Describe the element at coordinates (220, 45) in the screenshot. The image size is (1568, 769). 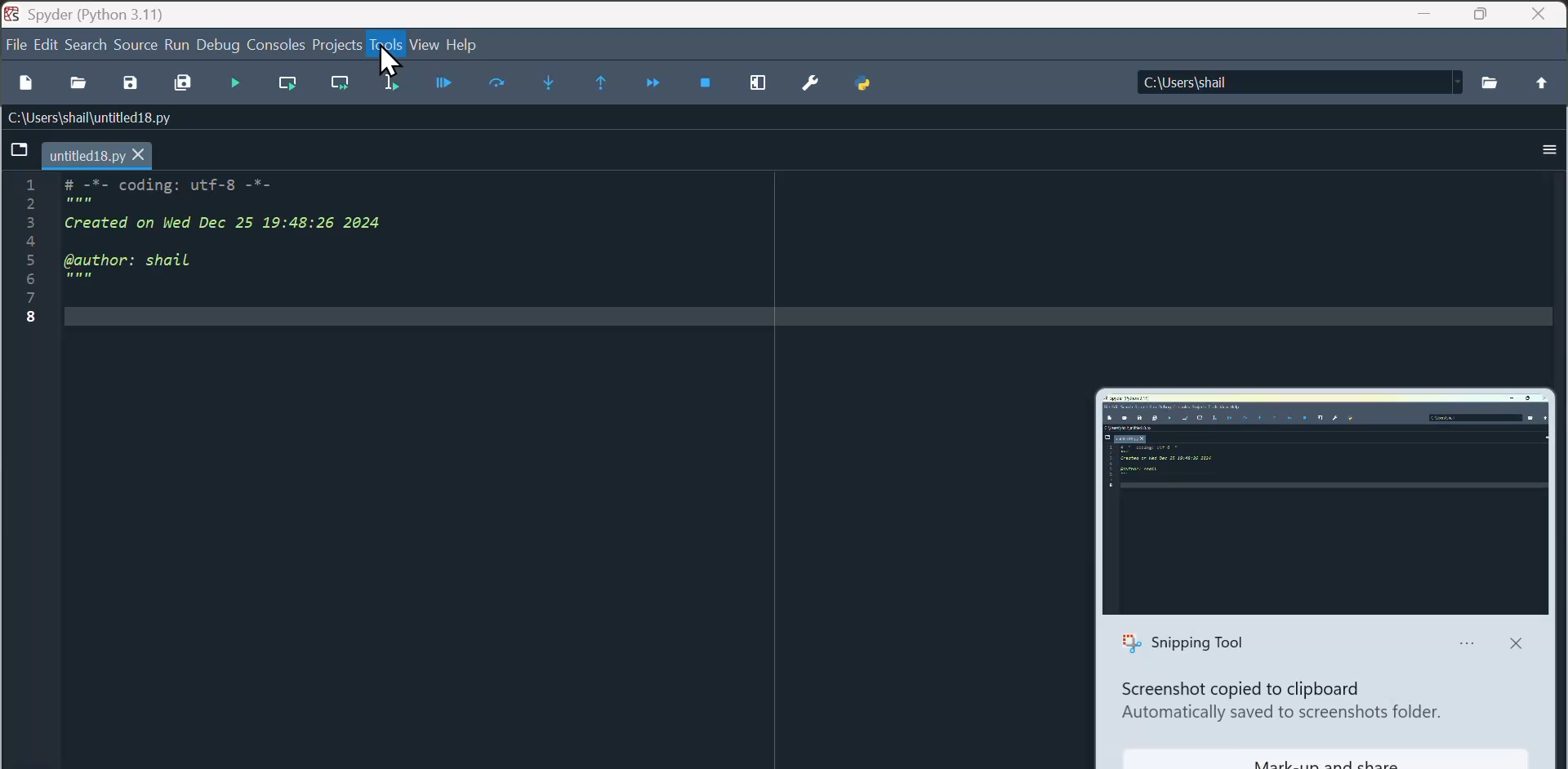
I see `Debug` at that location.